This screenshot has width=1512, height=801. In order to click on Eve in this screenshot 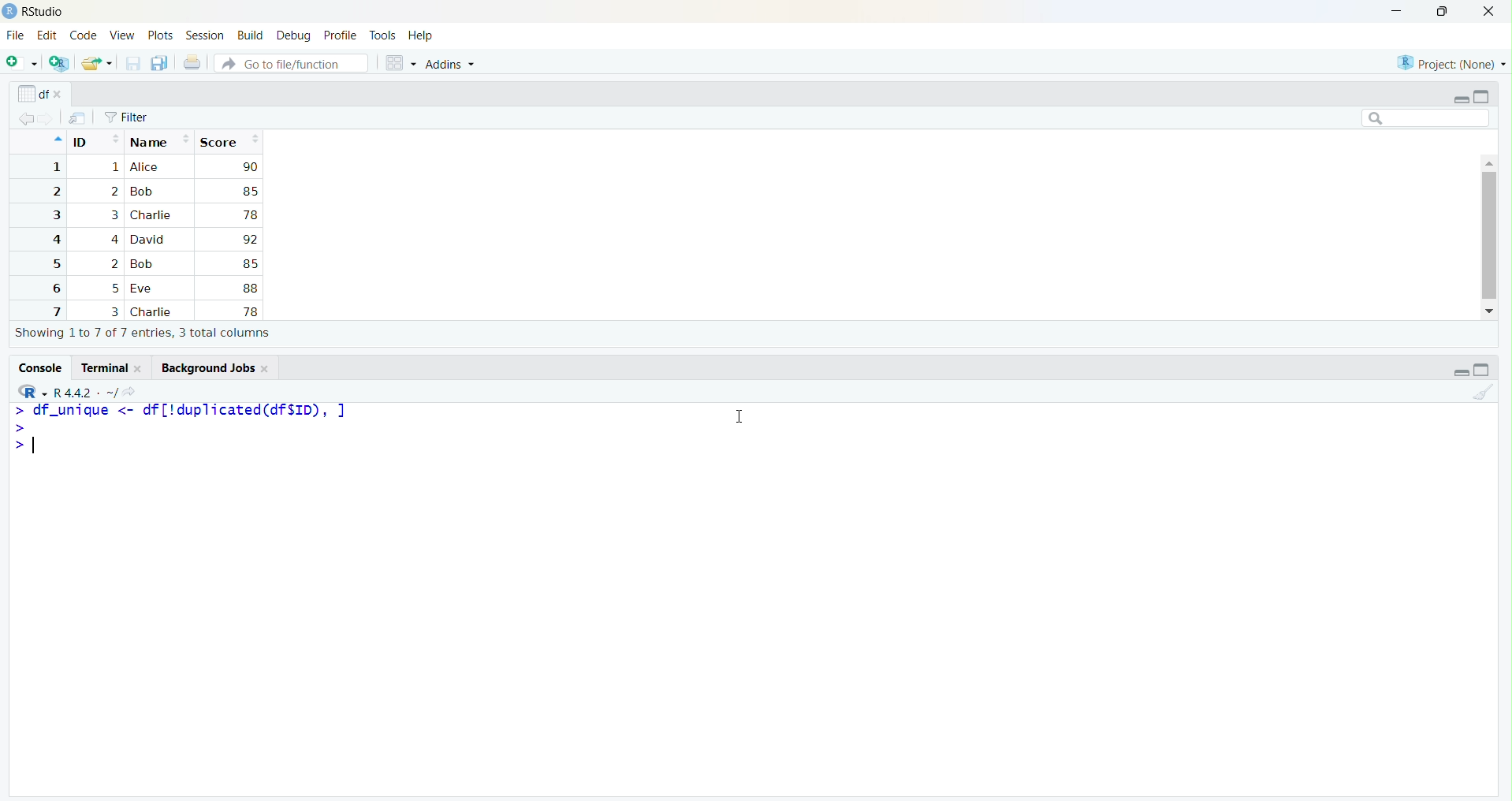, I will do `click(145, 289)`.